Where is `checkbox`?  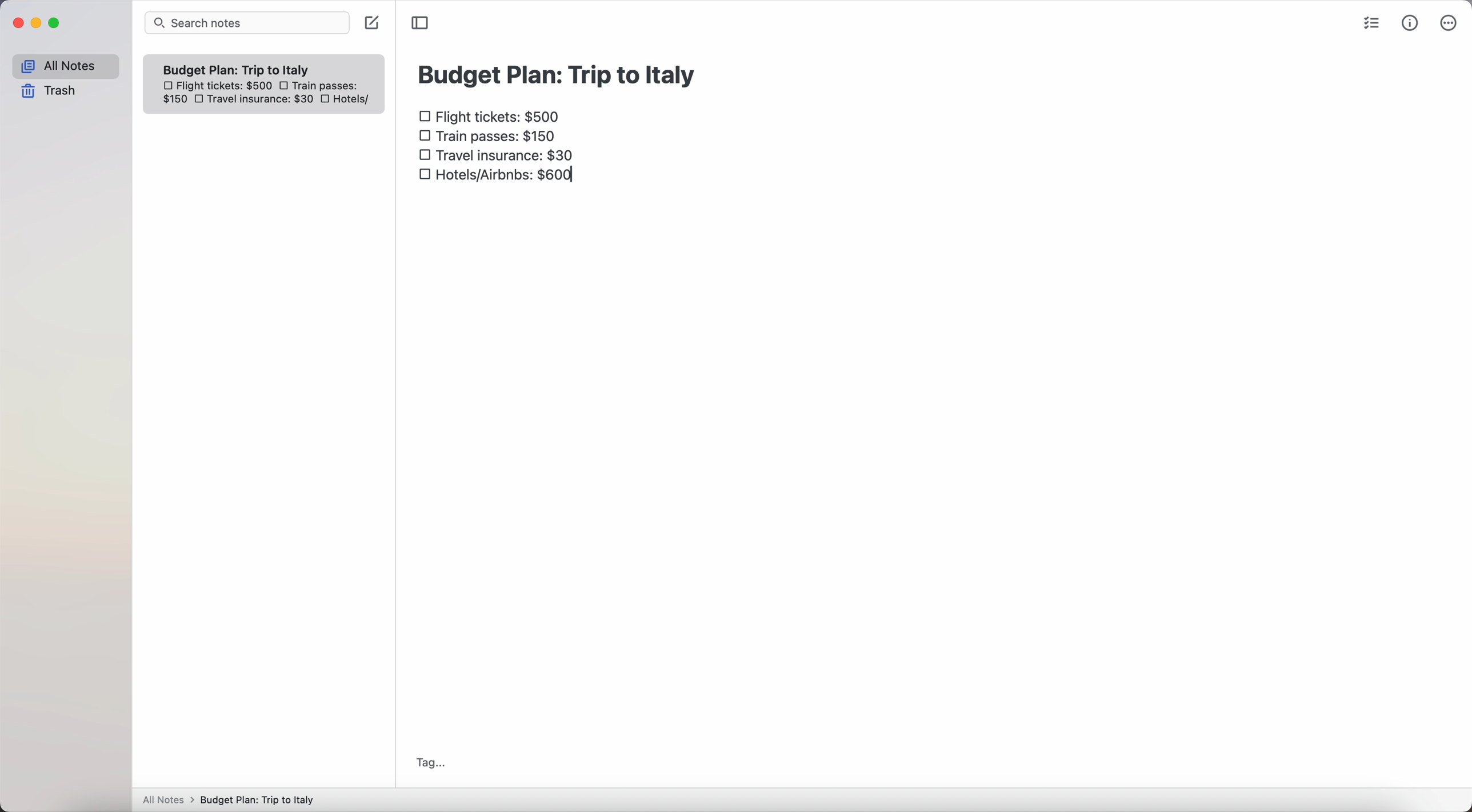 checkbox is located at coordinates (329, 100).